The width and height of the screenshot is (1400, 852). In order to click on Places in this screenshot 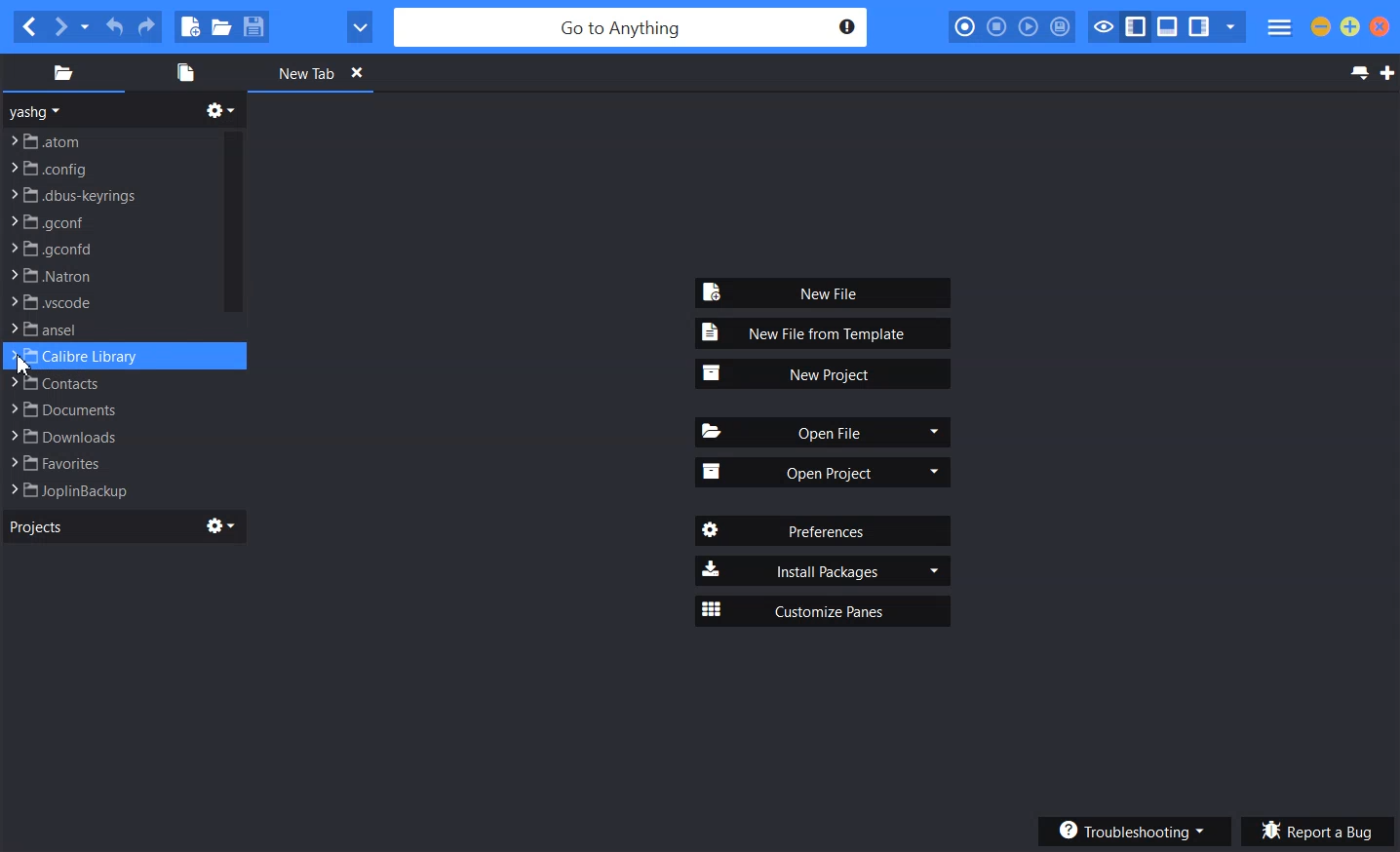, I will do `click(62, 72)`.